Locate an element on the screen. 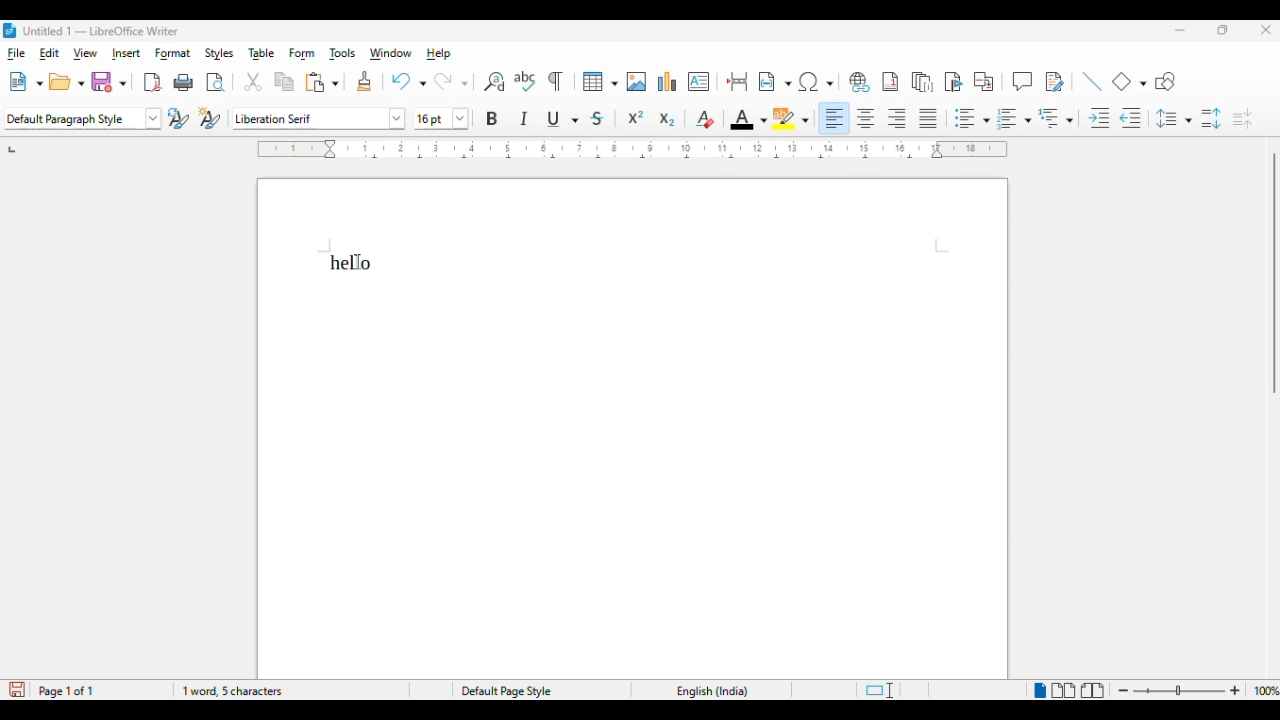 The width and height of the screenshot is (1280, 720). font color is located at coordinates (749, 120).